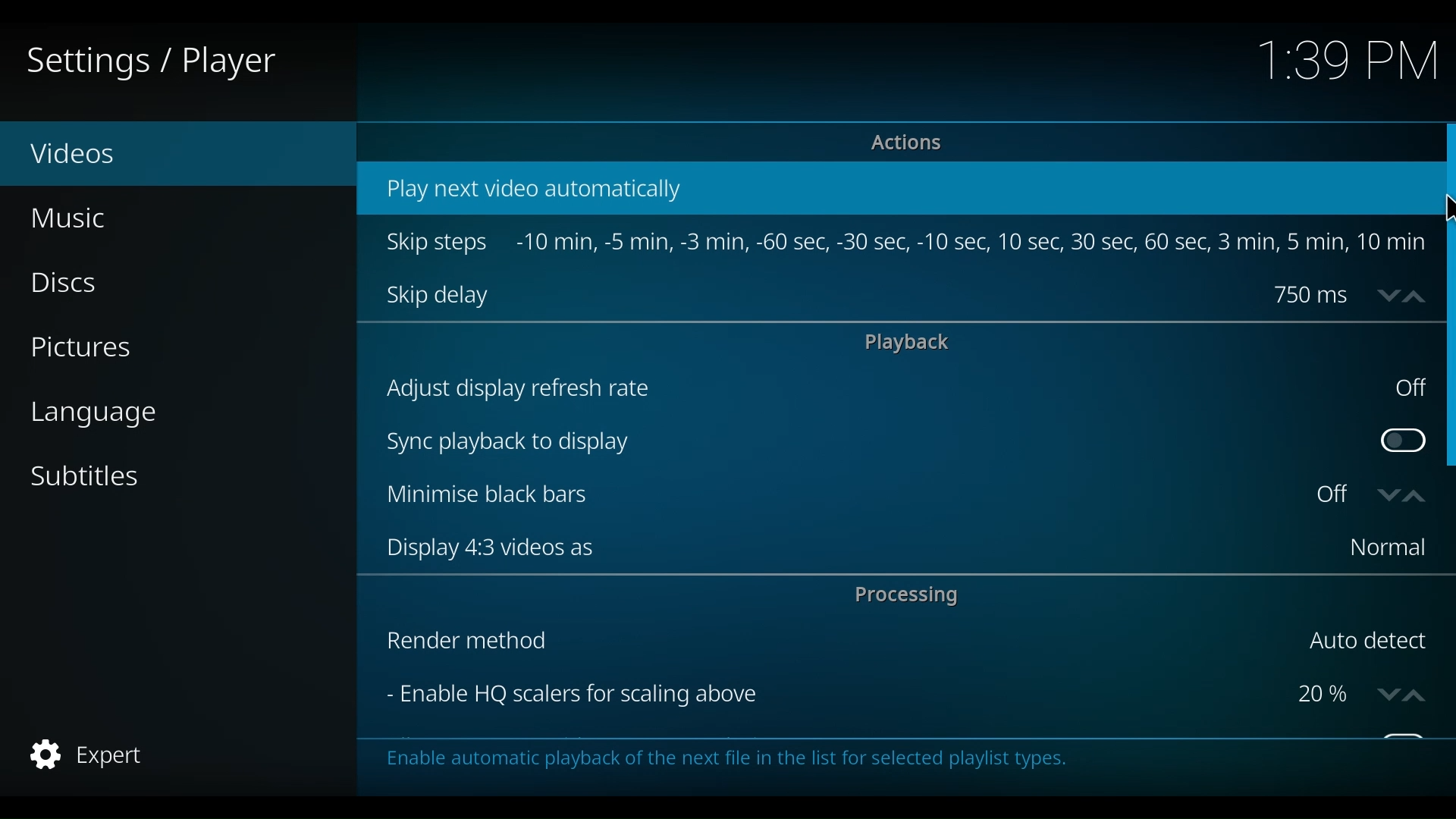  What do you see at coordinates (1390, 296) in the screenshot?
I see `down` at bounding box center [1390, 296].